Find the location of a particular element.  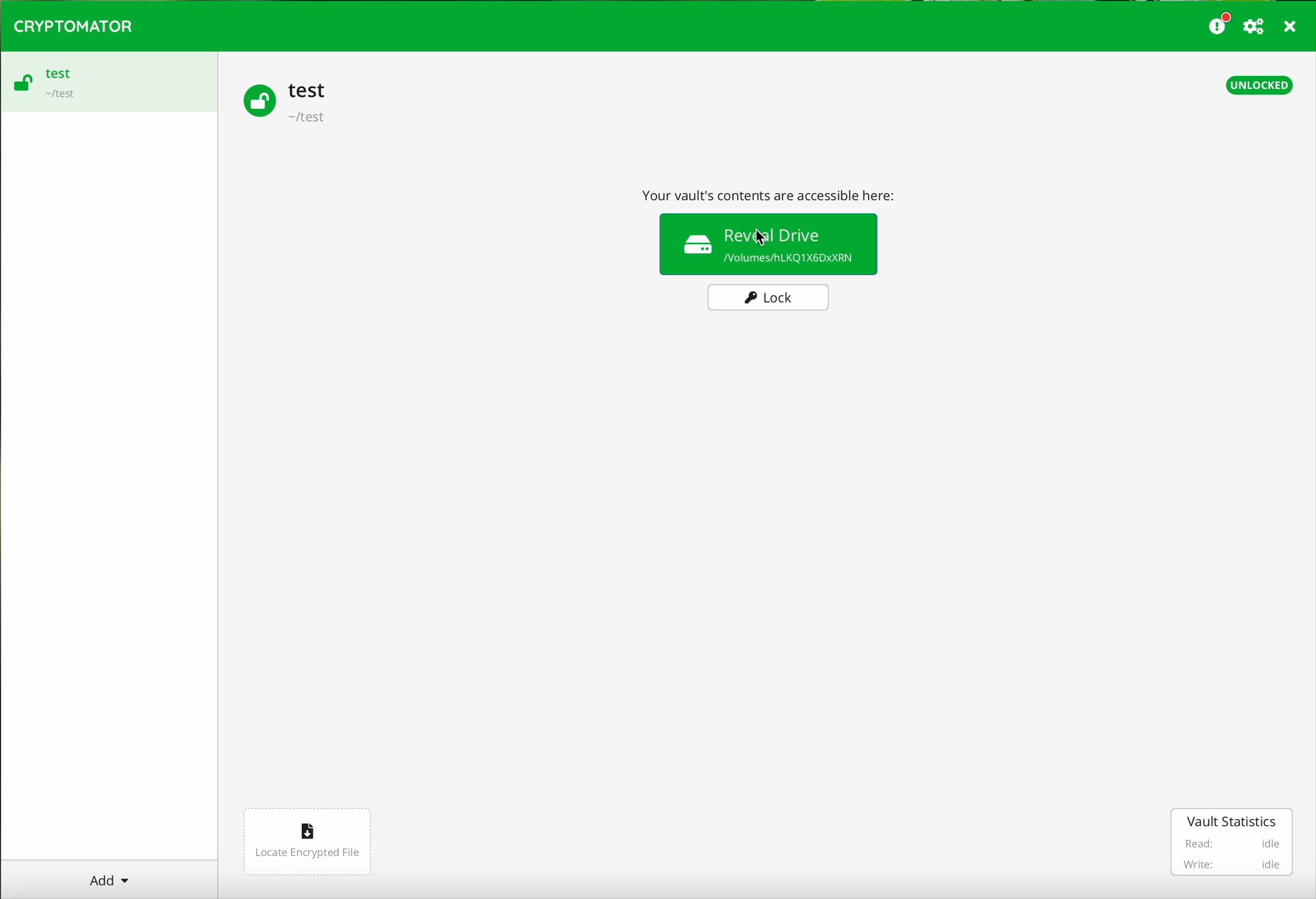

~/test is located at coordinates (58, 96).